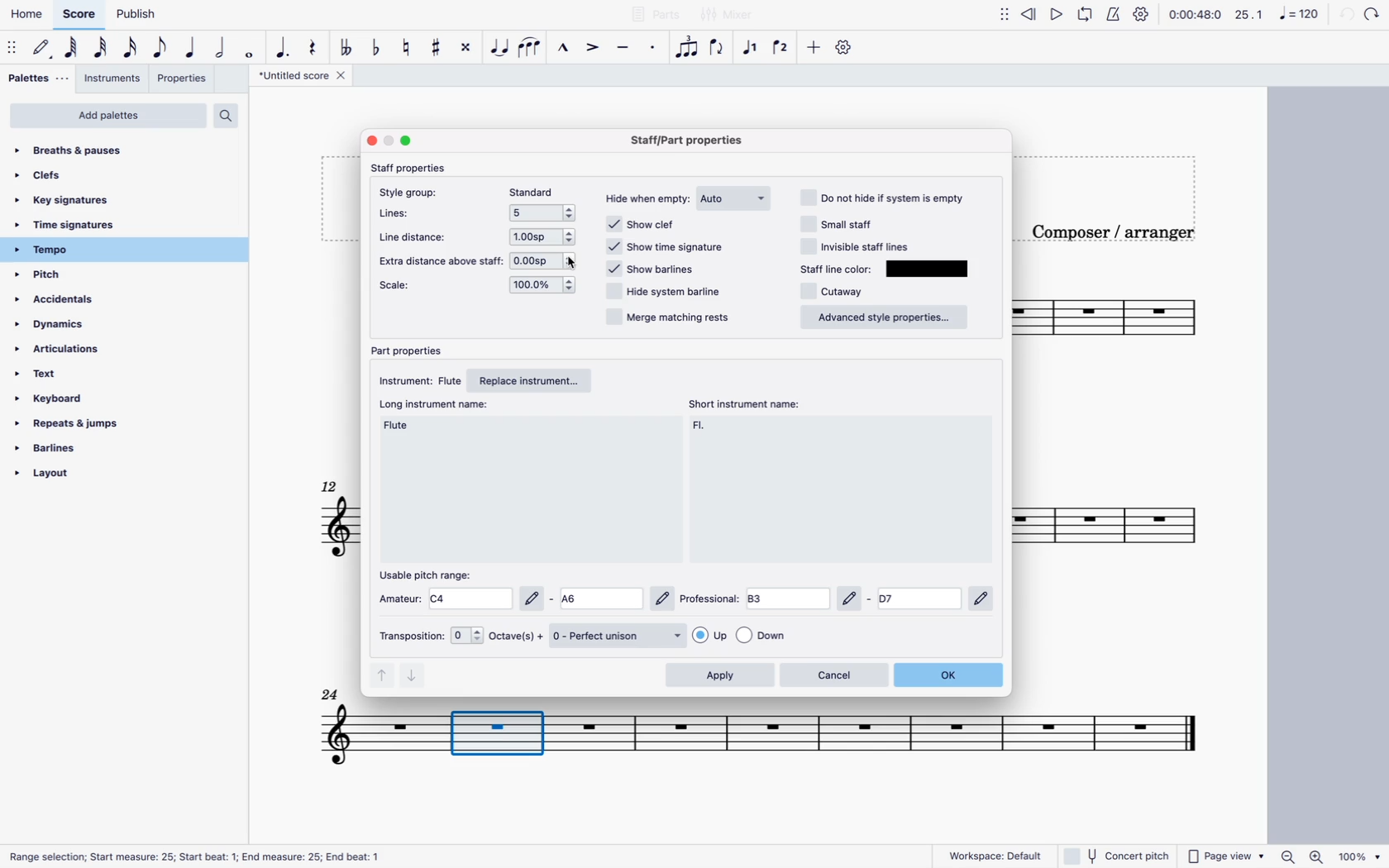 The height and width of the screenshot is (868, 1389). I want to click on default, so click(41, 49).